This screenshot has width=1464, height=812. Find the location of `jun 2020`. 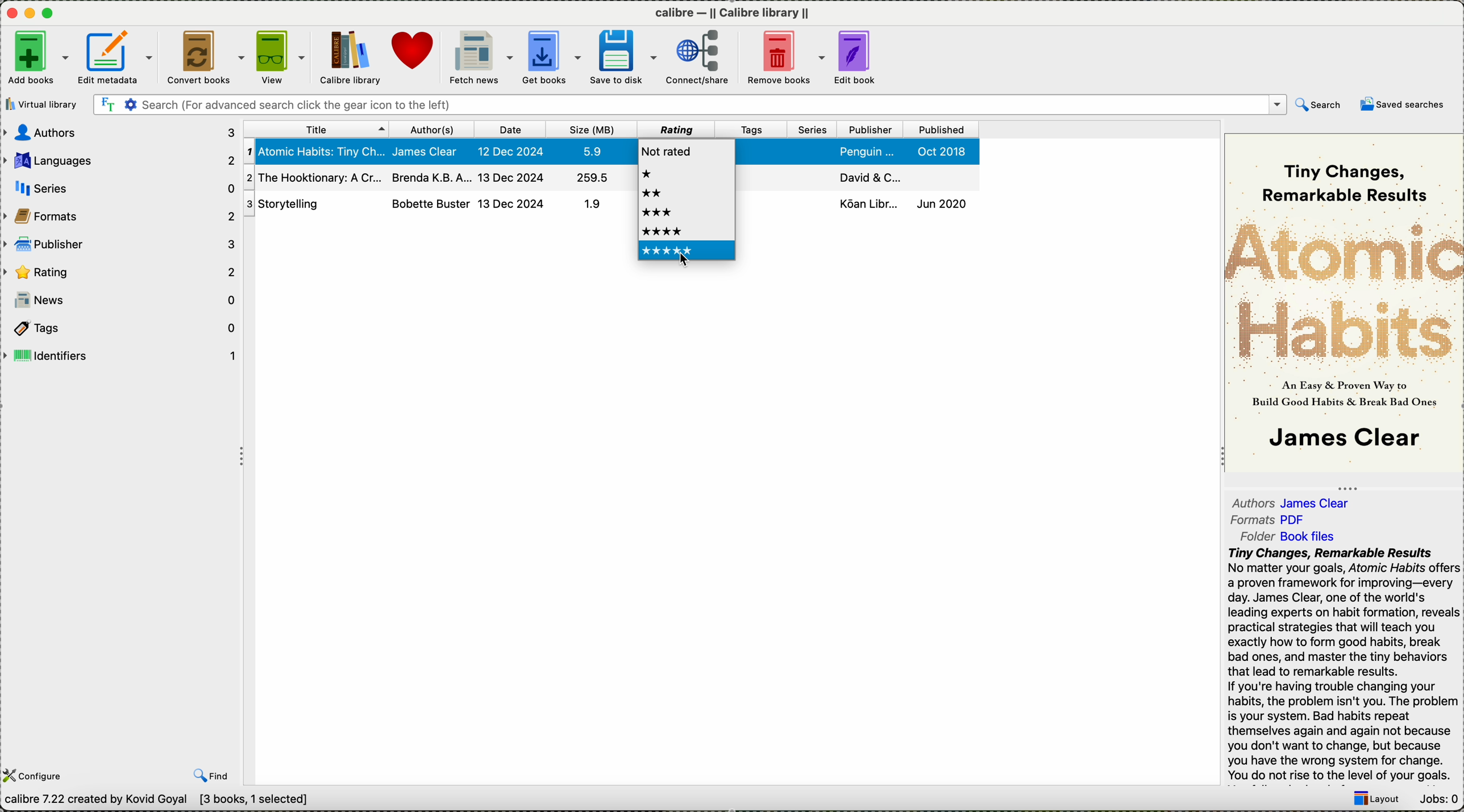

jun 2020 is located at coordinates (942, 202).